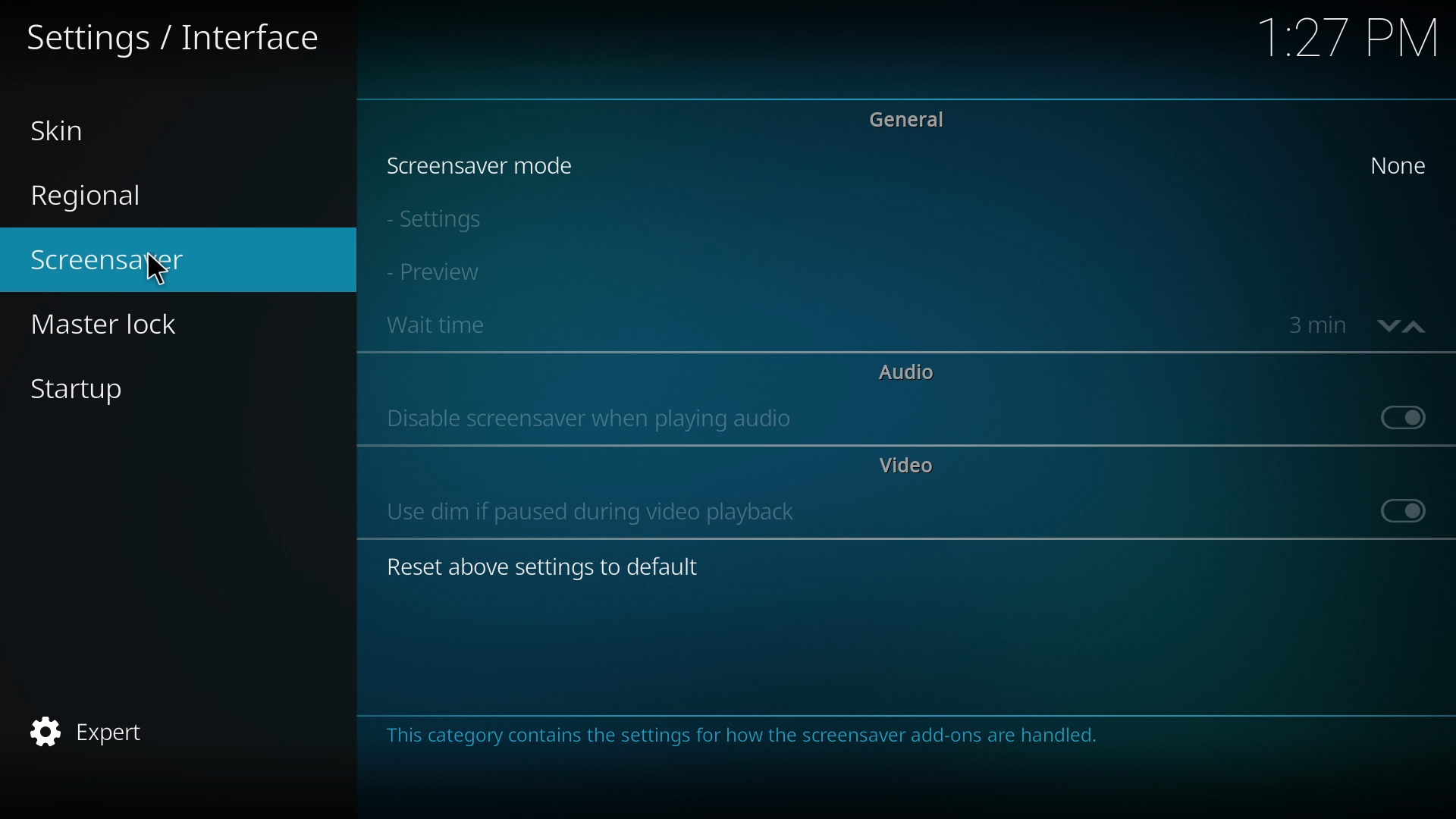  I want to click on off, so click(1404, 509).